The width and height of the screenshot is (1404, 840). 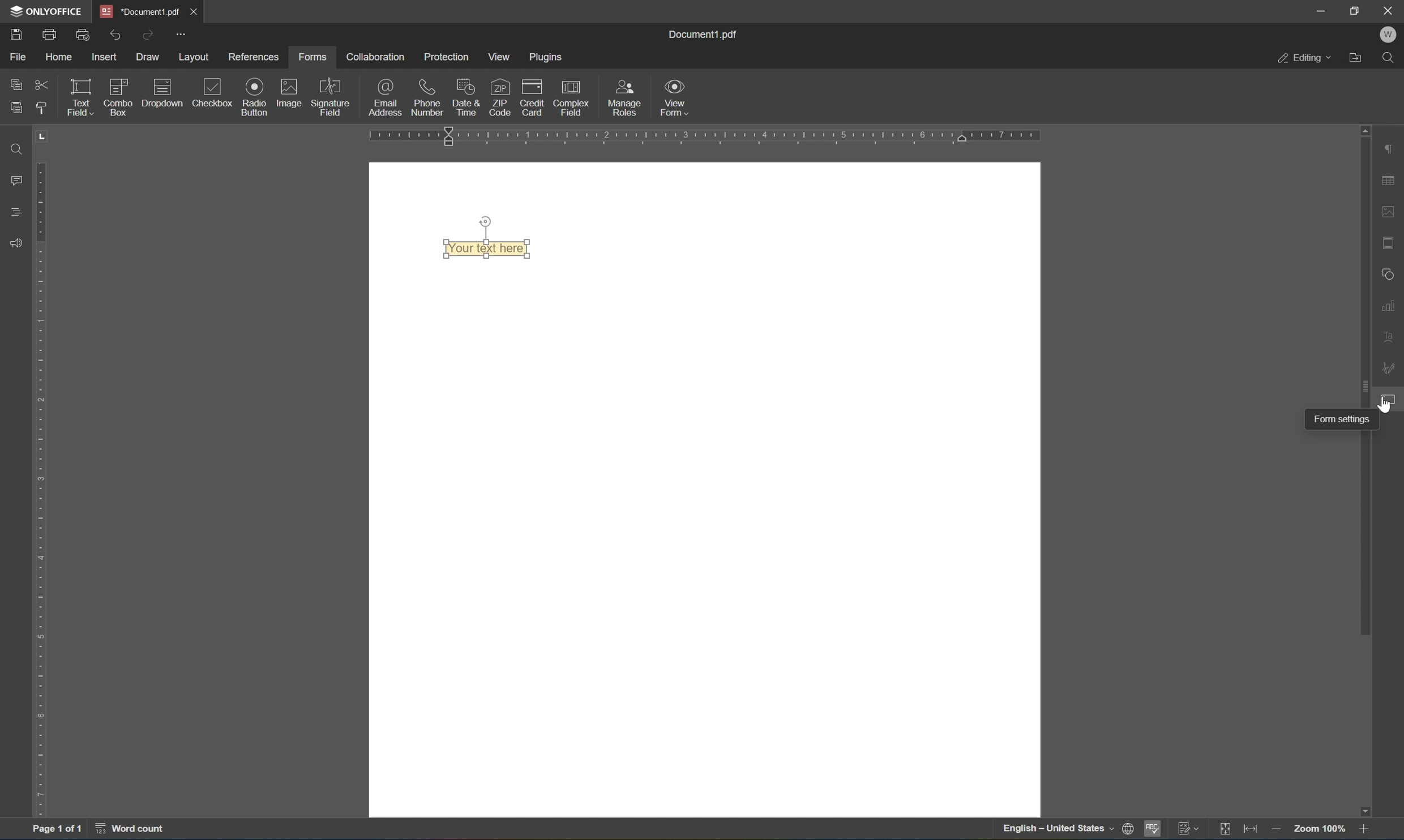 I want to click on Find, so click(x=18, y=150).